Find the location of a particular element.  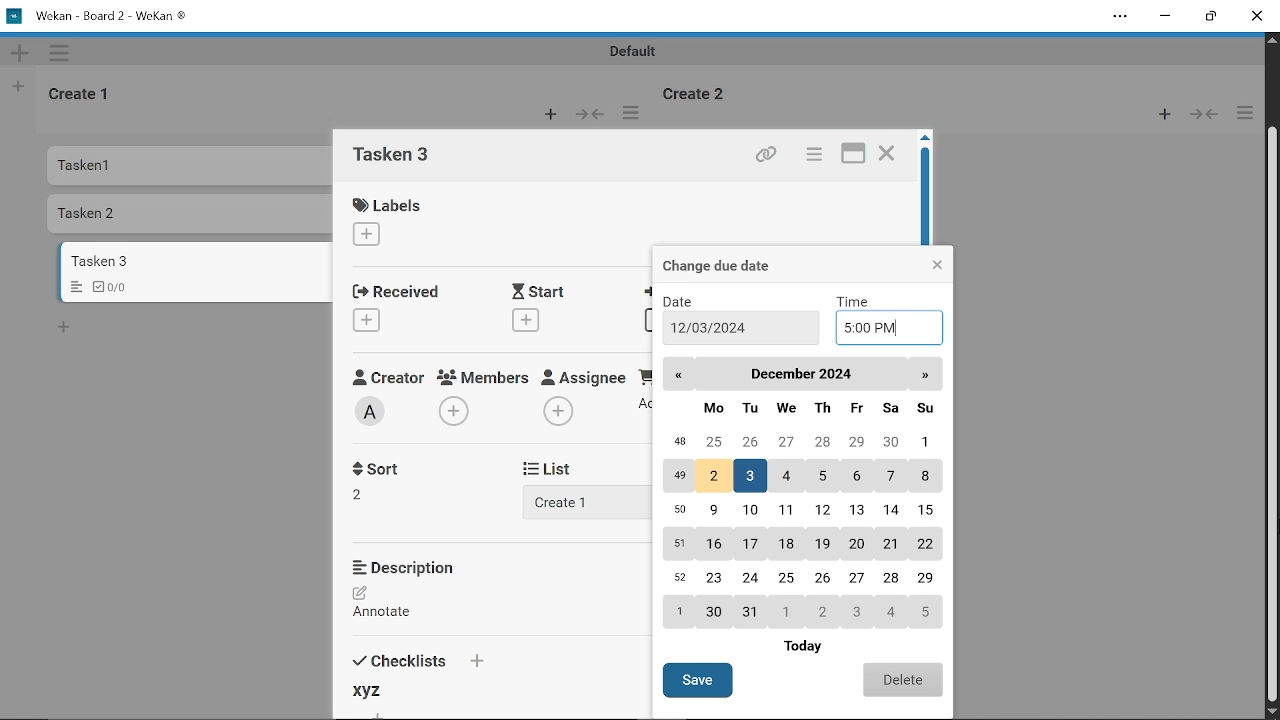

More is located at coordinates (635, 113).